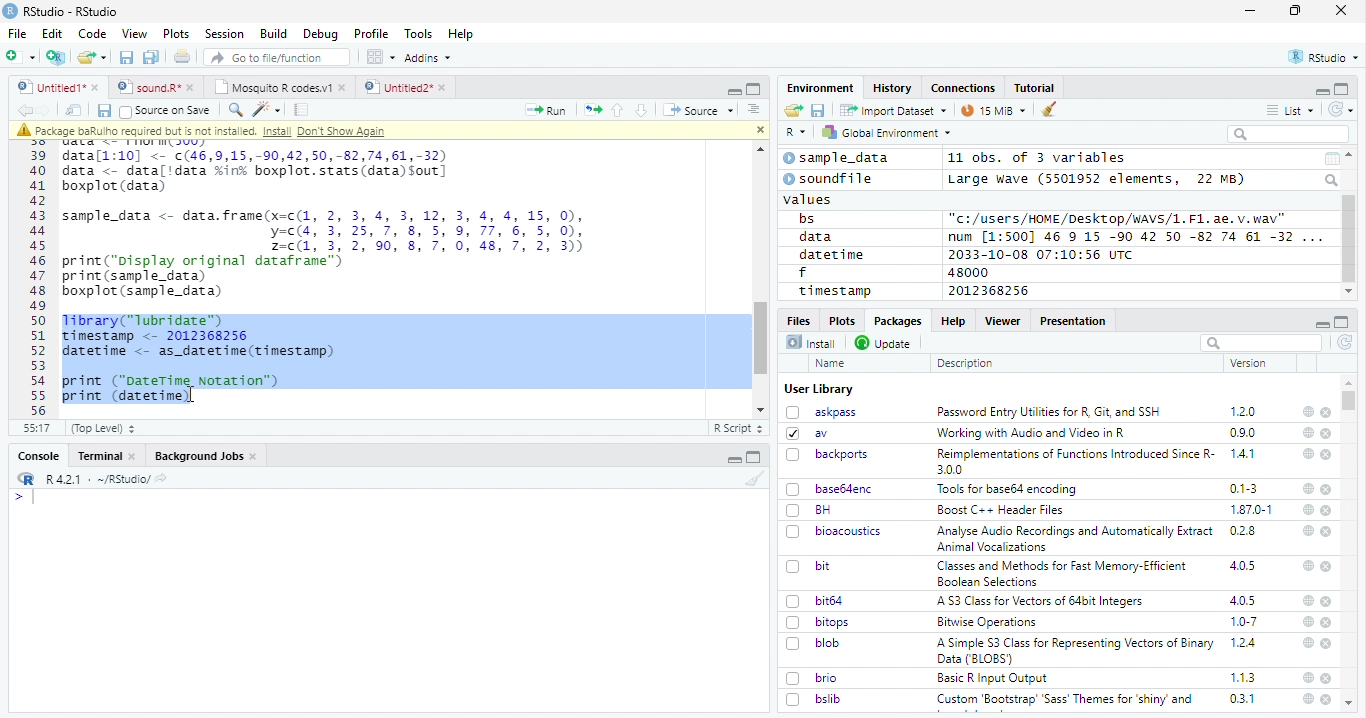 Image resolution: width=1366 pixels, height=718 pixels. What do you see at coordinates (265, 109) in the screenshot?
I see `Code tools` at bounding box center [265, 109].